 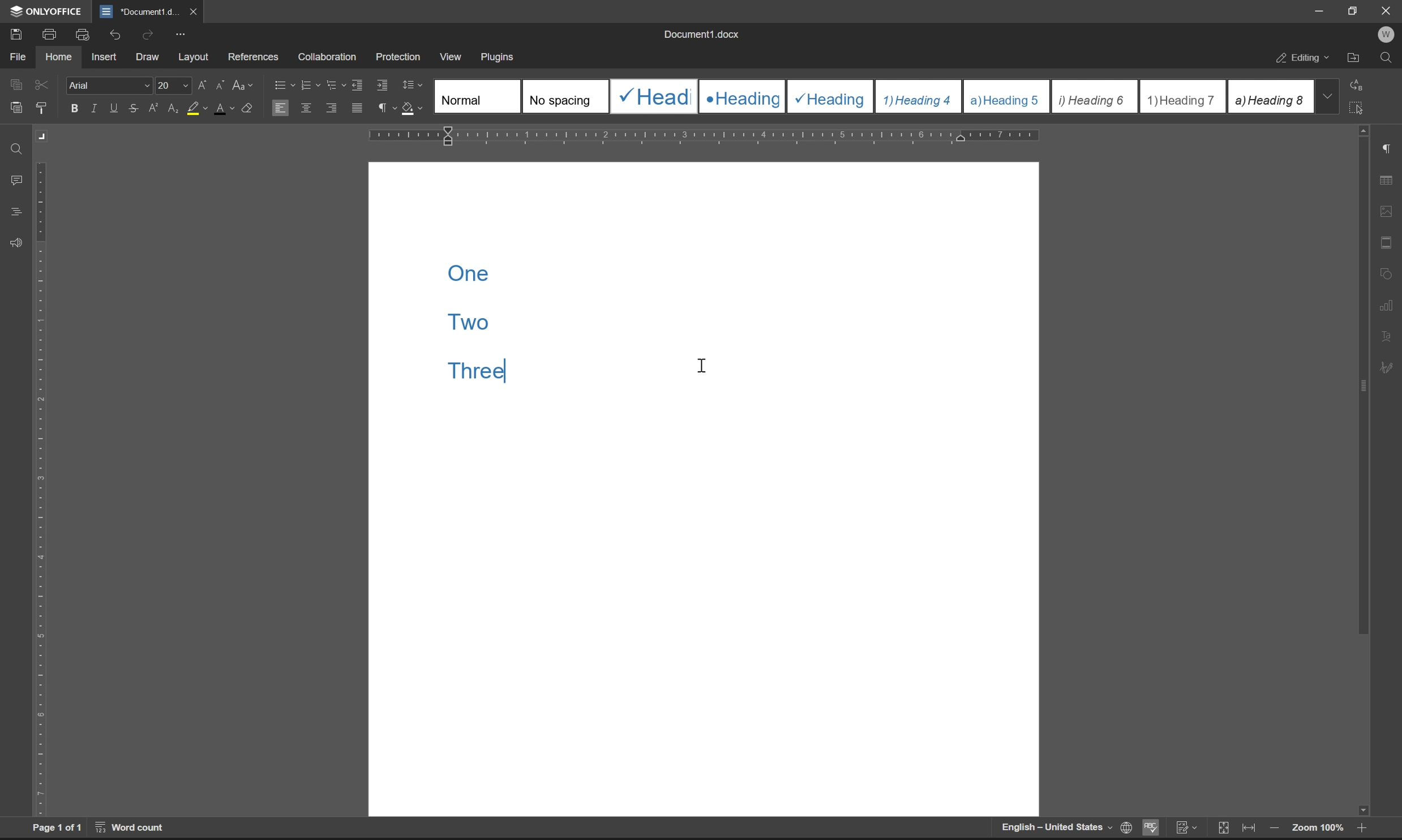 I want to click on zoom 100%, so click(x=1317, y=830).